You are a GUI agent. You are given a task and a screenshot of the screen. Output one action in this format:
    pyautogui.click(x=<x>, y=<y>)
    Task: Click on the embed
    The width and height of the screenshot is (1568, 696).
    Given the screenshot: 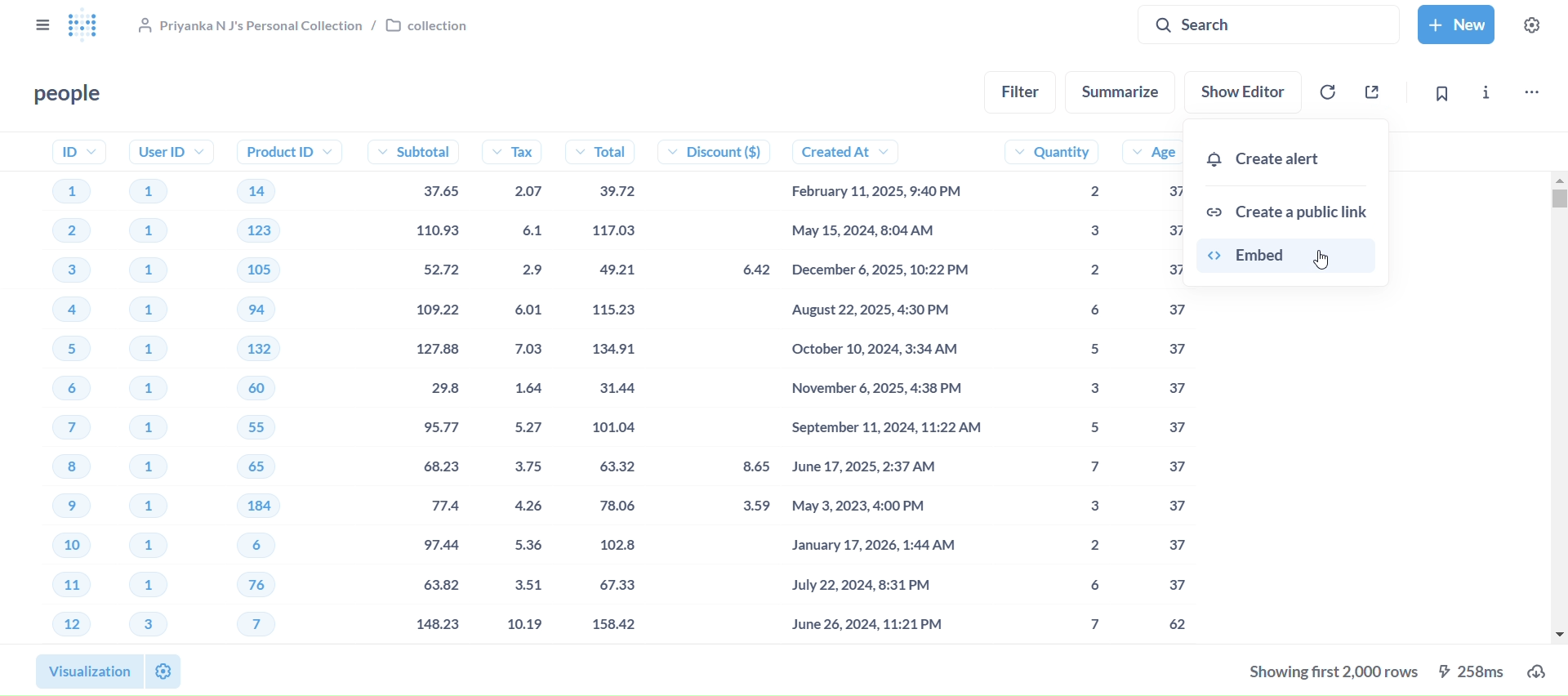 What is the action you would take?
    pyautogui.click(x=1294, y=260)
    